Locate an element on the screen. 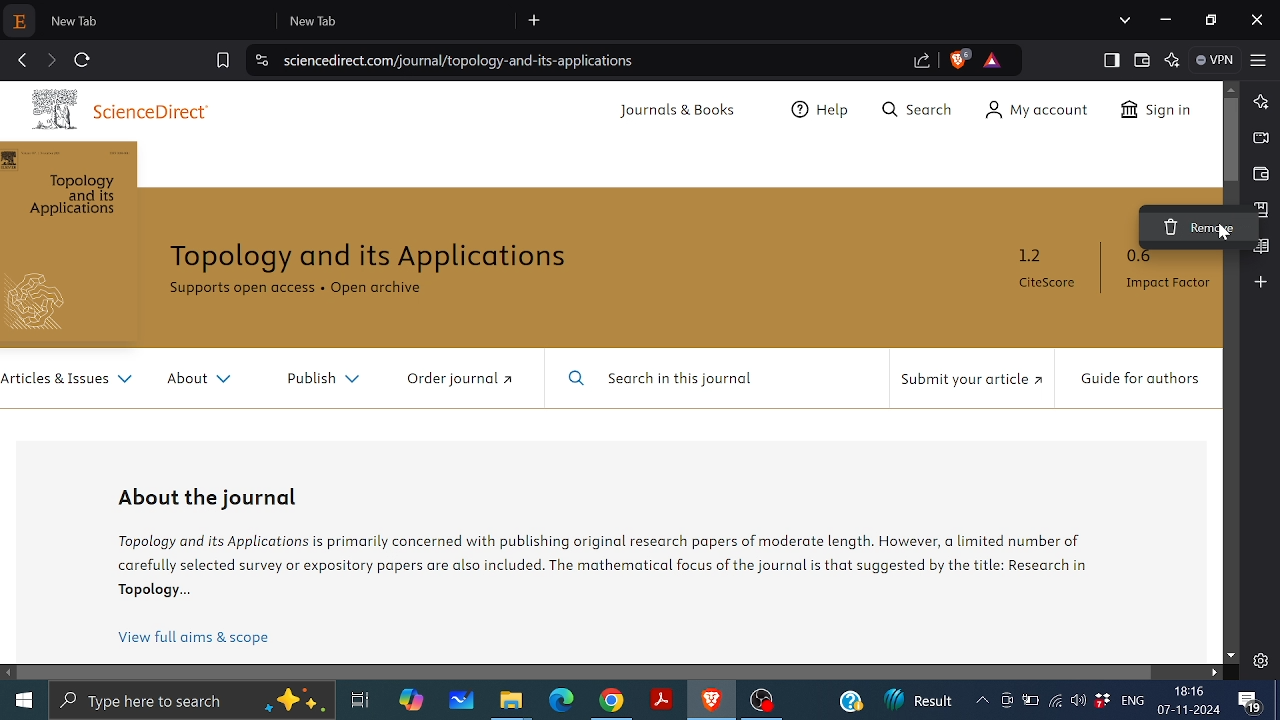 Image resolution: width=1280 pixels, height=720 pixels. Type or searchapps is located at coordinates (190, 701).